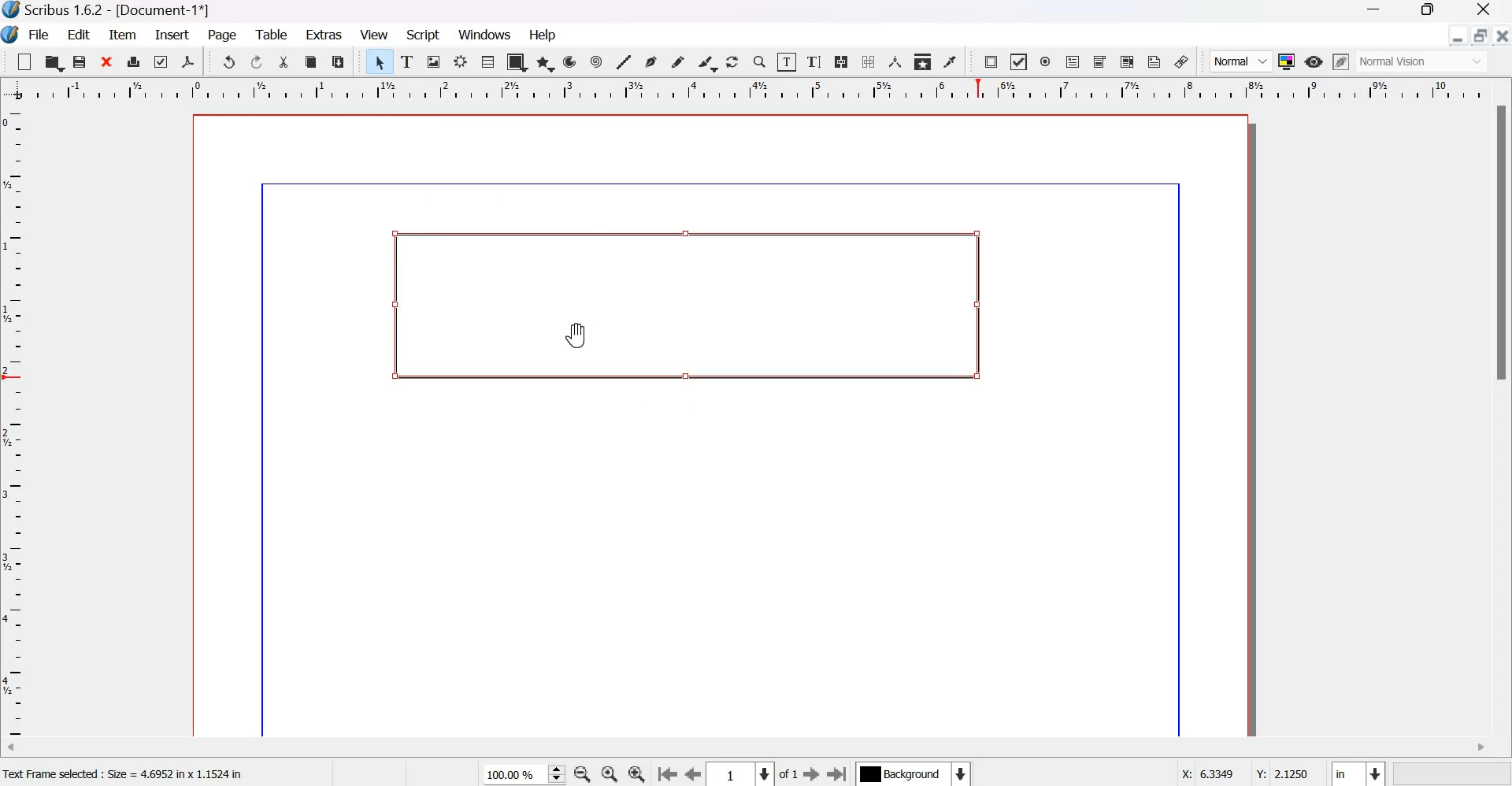 This screenshot has height=786, width=1512. I want to click on , so click(271, 35).